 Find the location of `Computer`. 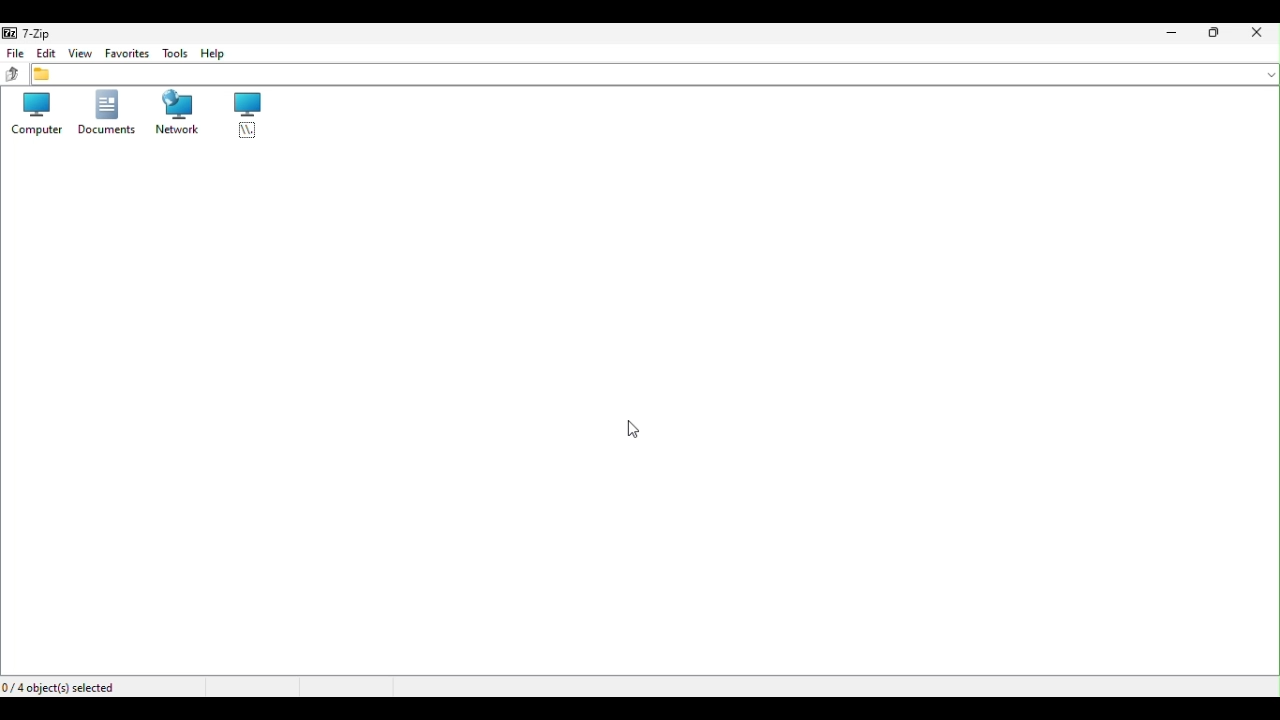

Computer is located at coordinates (31, 113).